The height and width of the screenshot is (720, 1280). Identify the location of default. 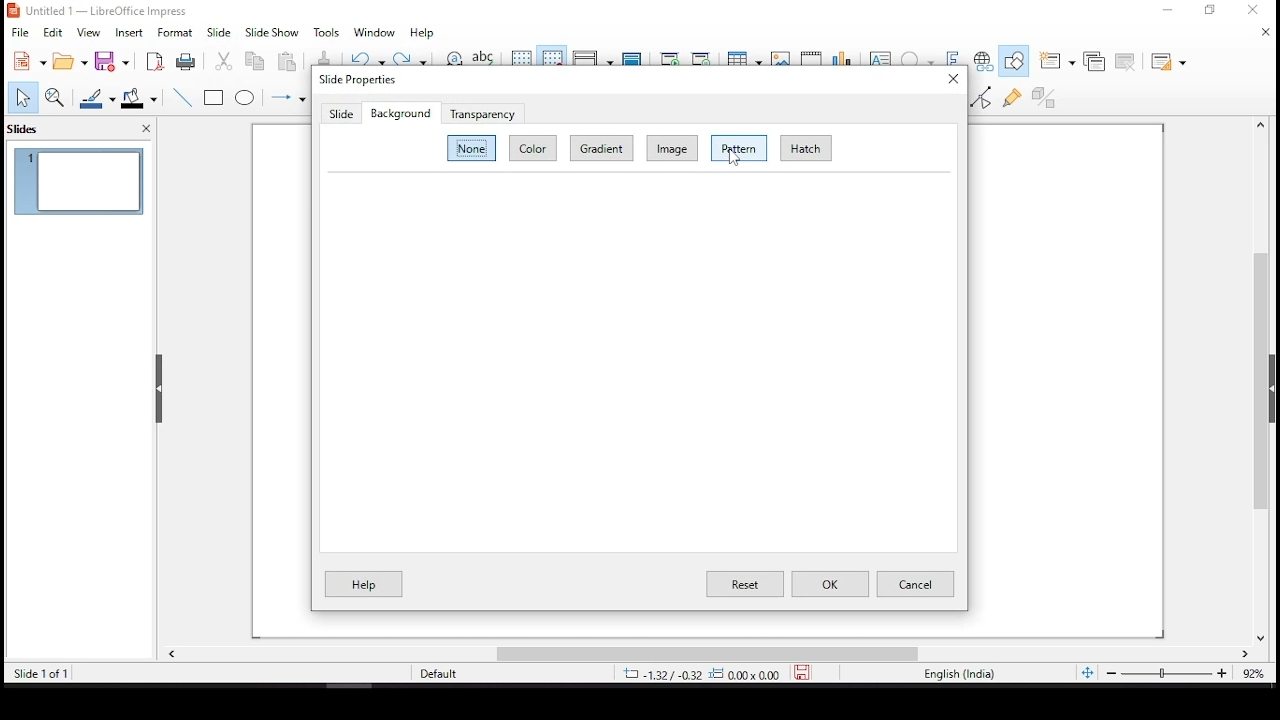
(439, 674).